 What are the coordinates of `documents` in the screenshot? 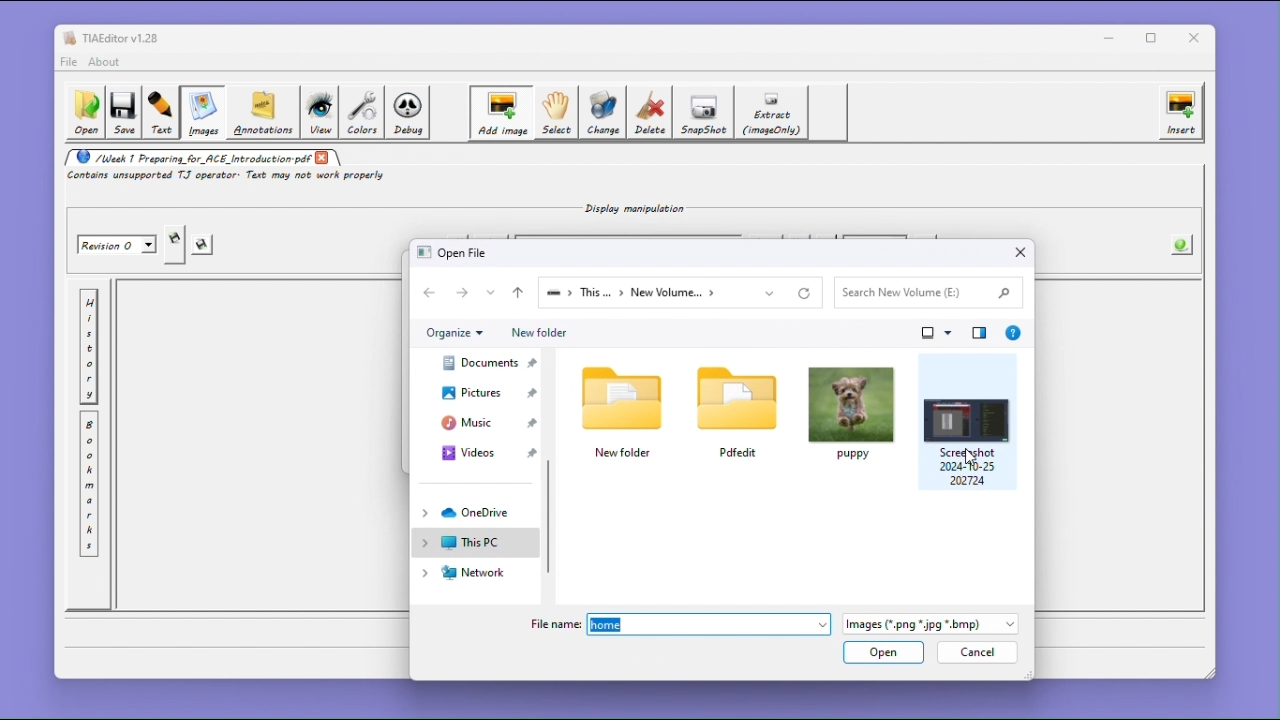 It's located at (480, 362).